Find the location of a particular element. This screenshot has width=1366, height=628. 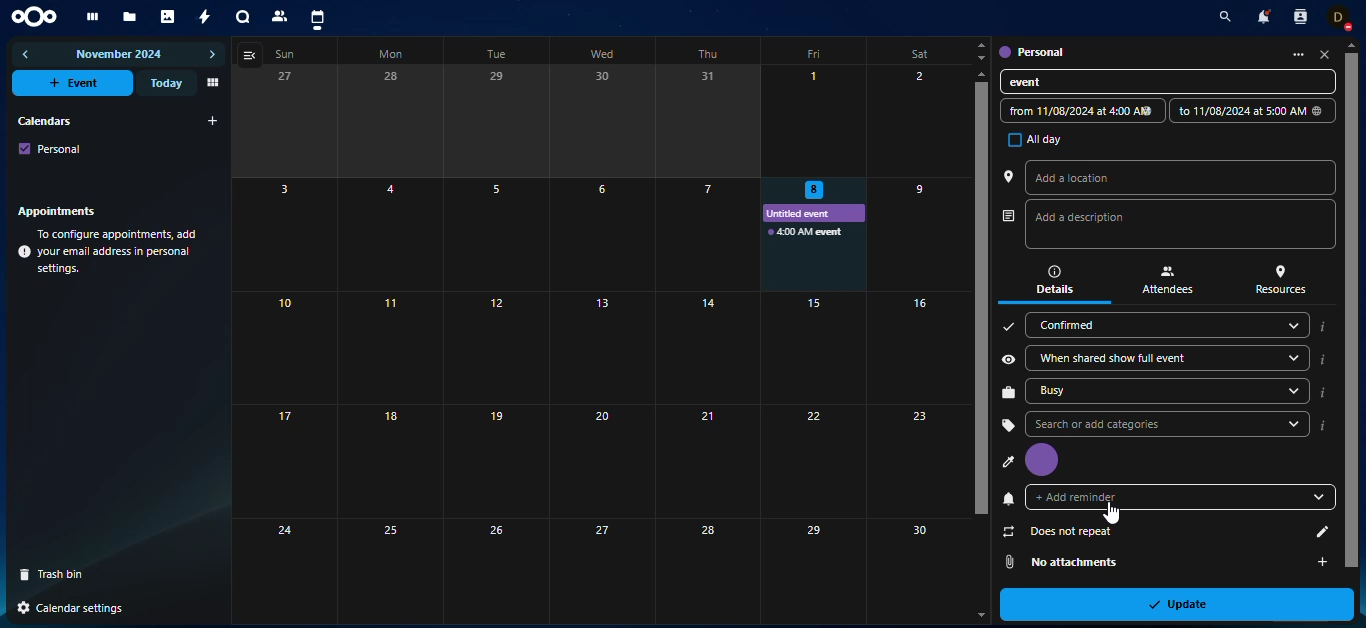

Cursor is located at coordinates (1101, 513).